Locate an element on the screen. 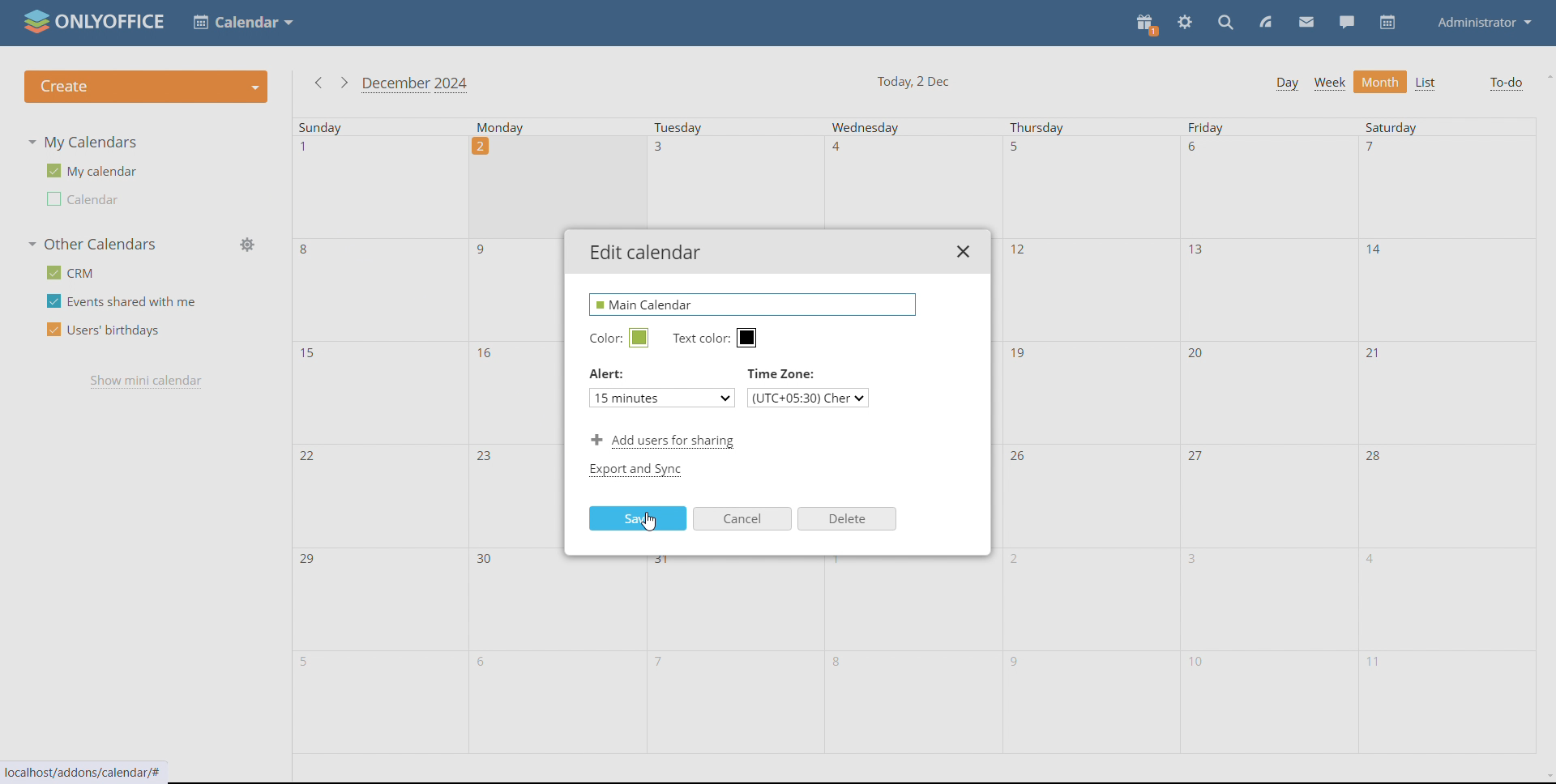 This screenshot has height=784, width=1556. cursor is located at coordinates (652, 526).